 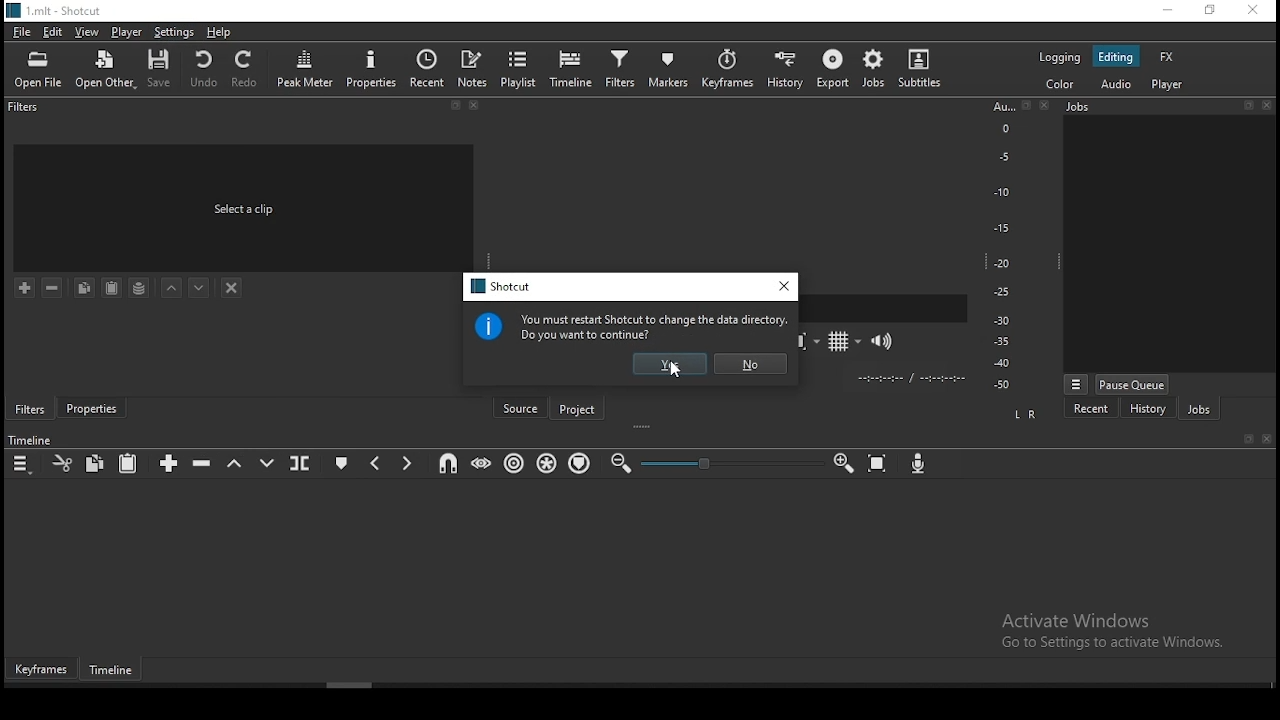 I want to click on create/edit marker, so click(x=343, y=460).